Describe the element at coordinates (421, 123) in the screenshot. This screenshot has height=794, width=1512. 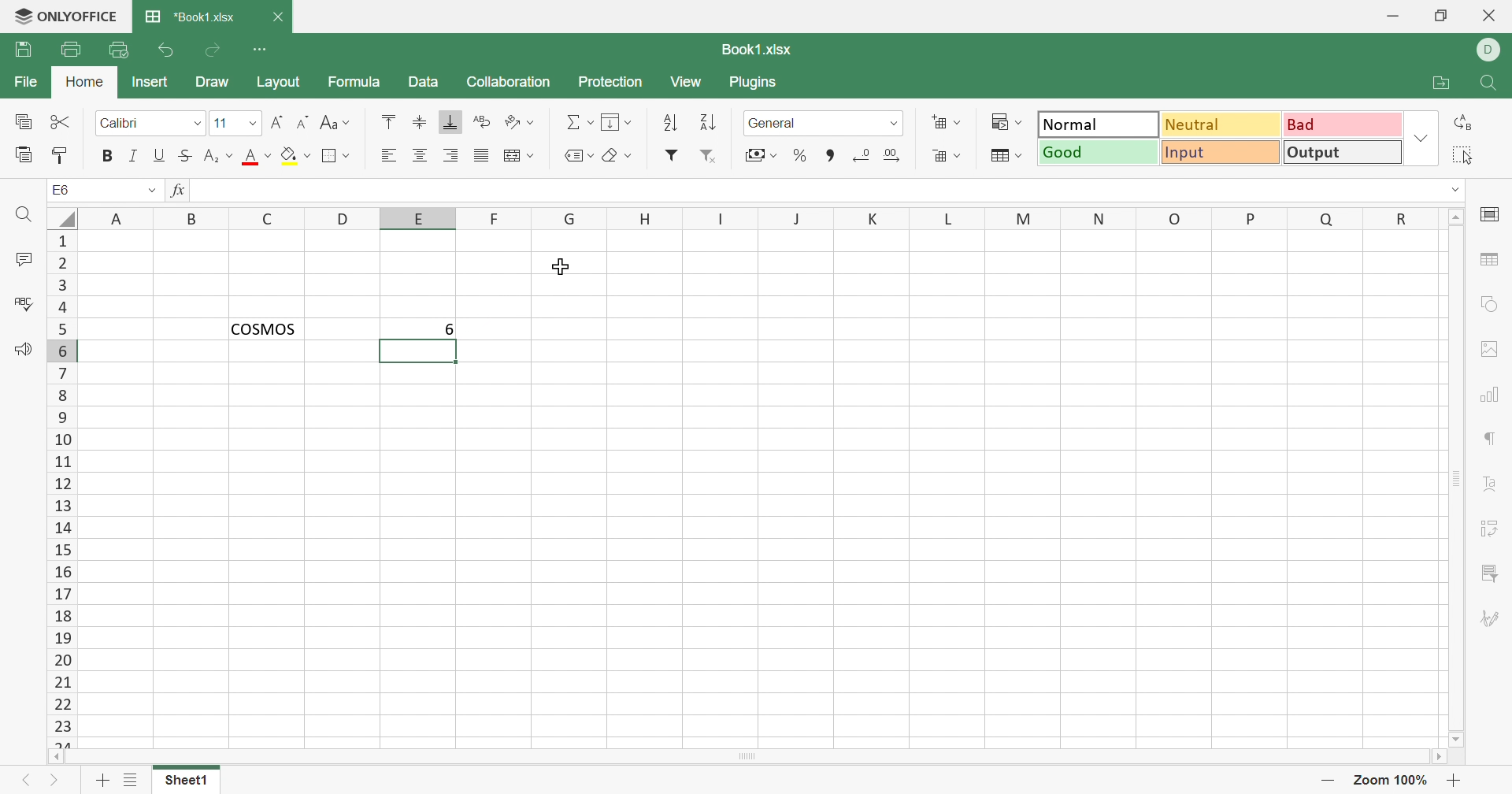
I see `Align middle` at that location.